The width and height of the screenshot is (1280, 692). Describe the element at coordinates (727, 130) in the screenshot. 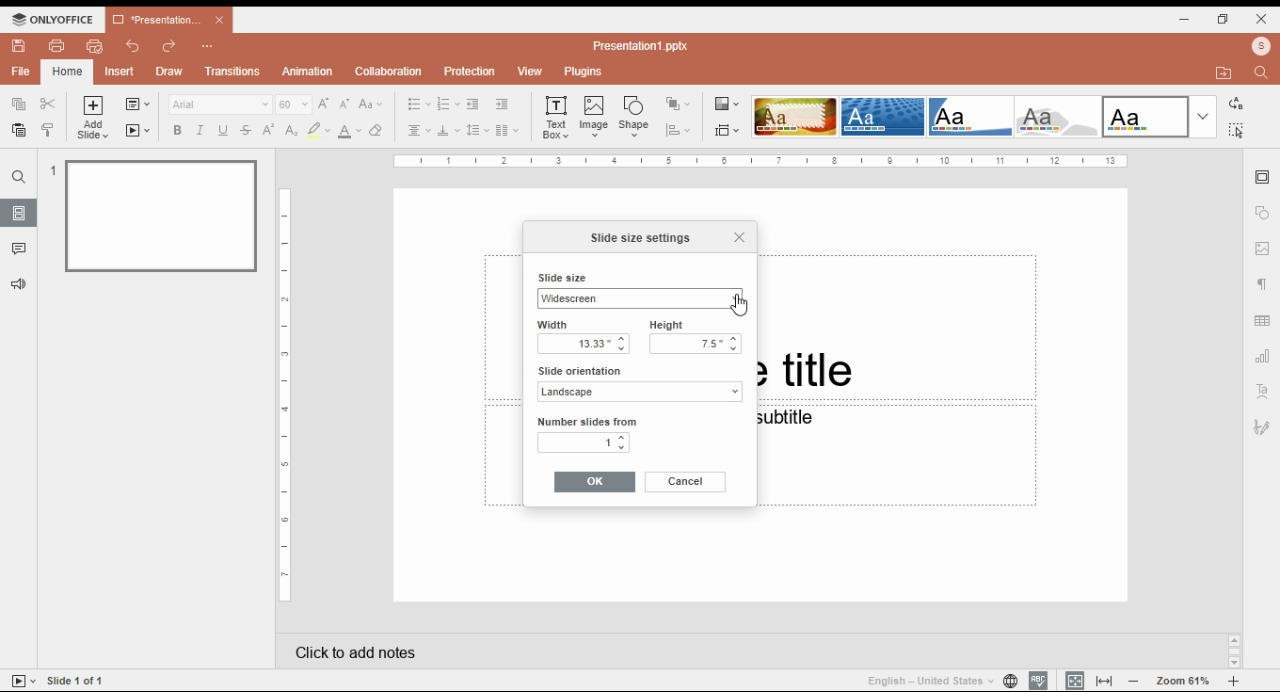

I see `change slide size` at that location.